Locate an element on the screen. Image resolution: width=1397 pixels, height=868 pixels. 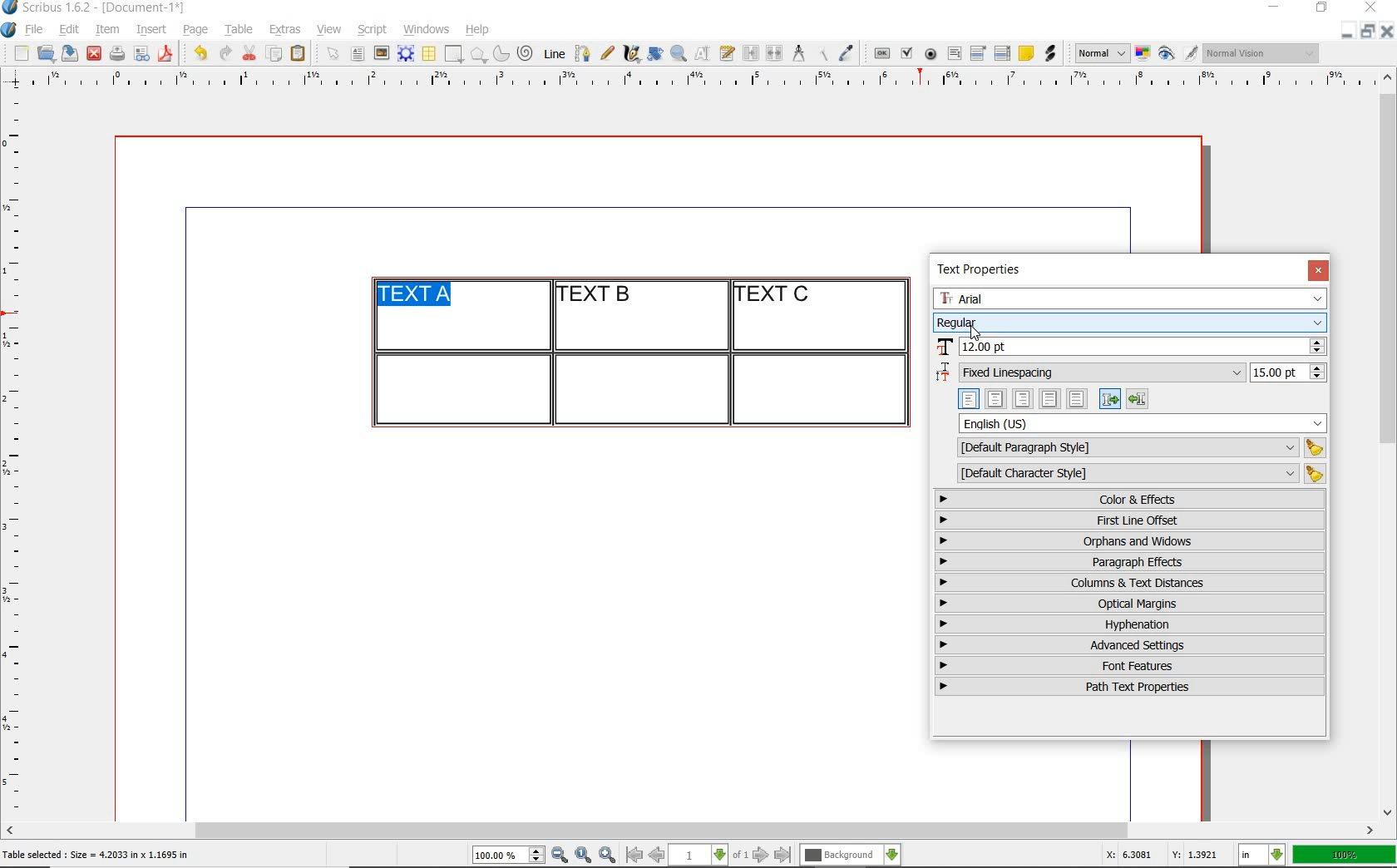
arc is located at coordinates (501, 53).